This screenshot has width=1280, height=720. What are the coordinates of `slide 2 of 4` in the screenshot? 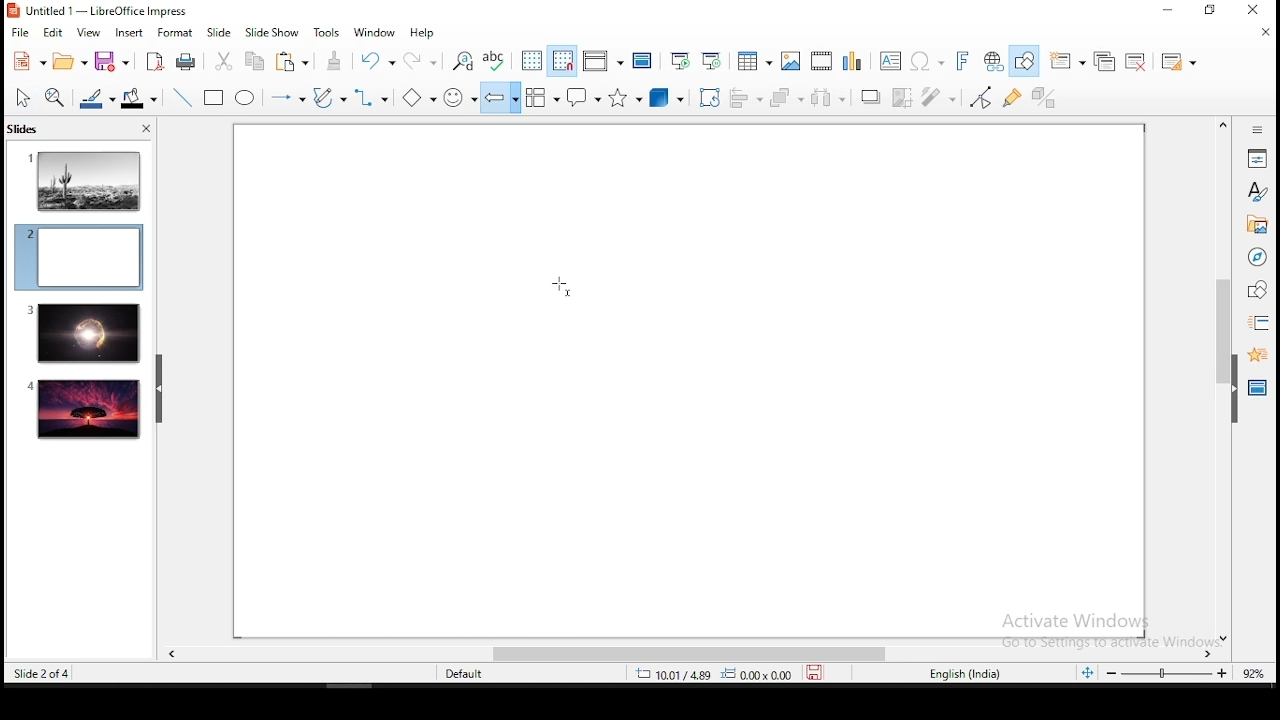 It's located at (44, 674).